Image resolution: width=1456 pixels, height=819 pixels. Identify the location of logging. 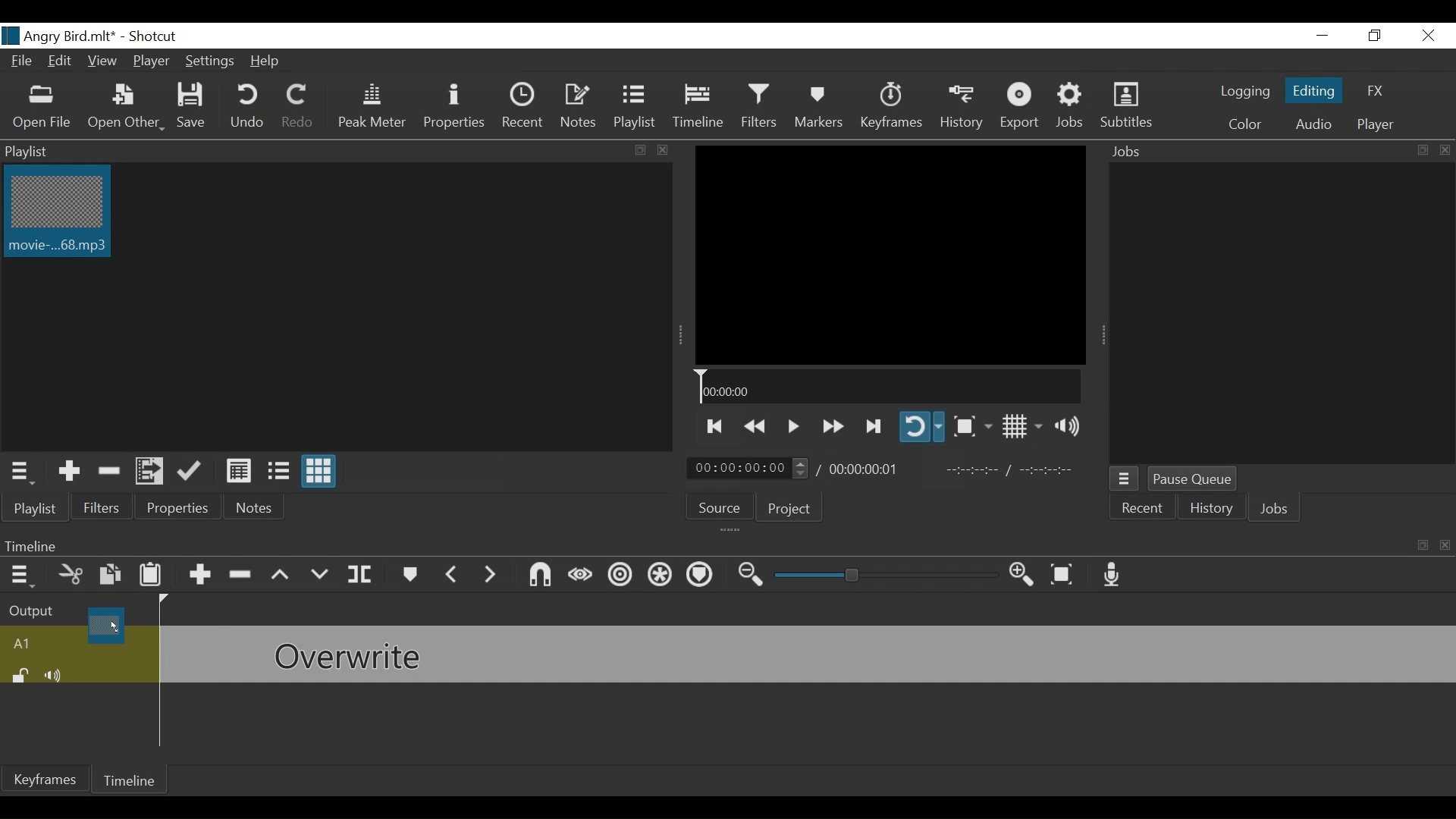
(1243, 93).